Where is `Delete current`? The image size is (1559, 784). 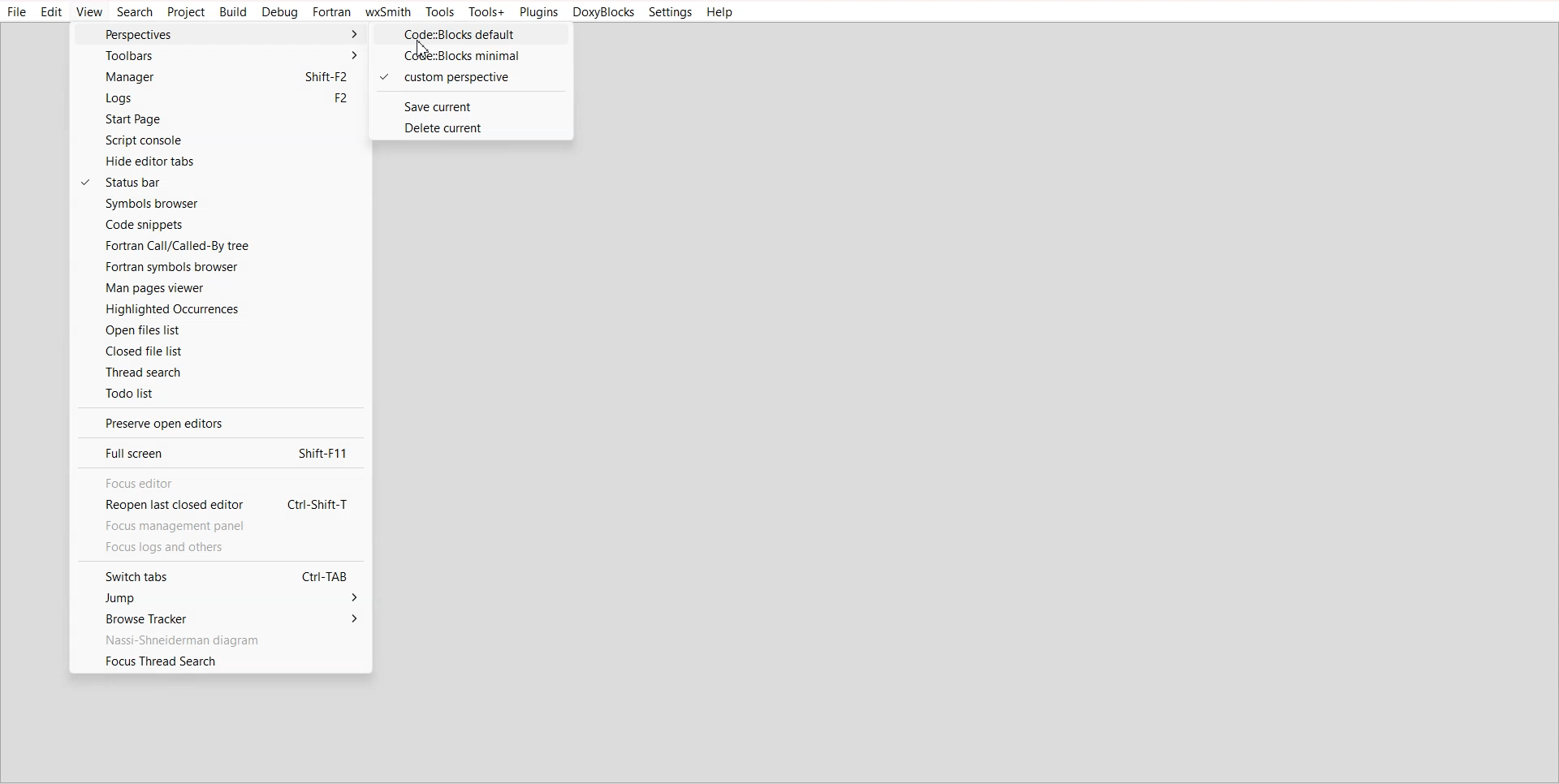 Delete current is located at coordinates (470, 127).